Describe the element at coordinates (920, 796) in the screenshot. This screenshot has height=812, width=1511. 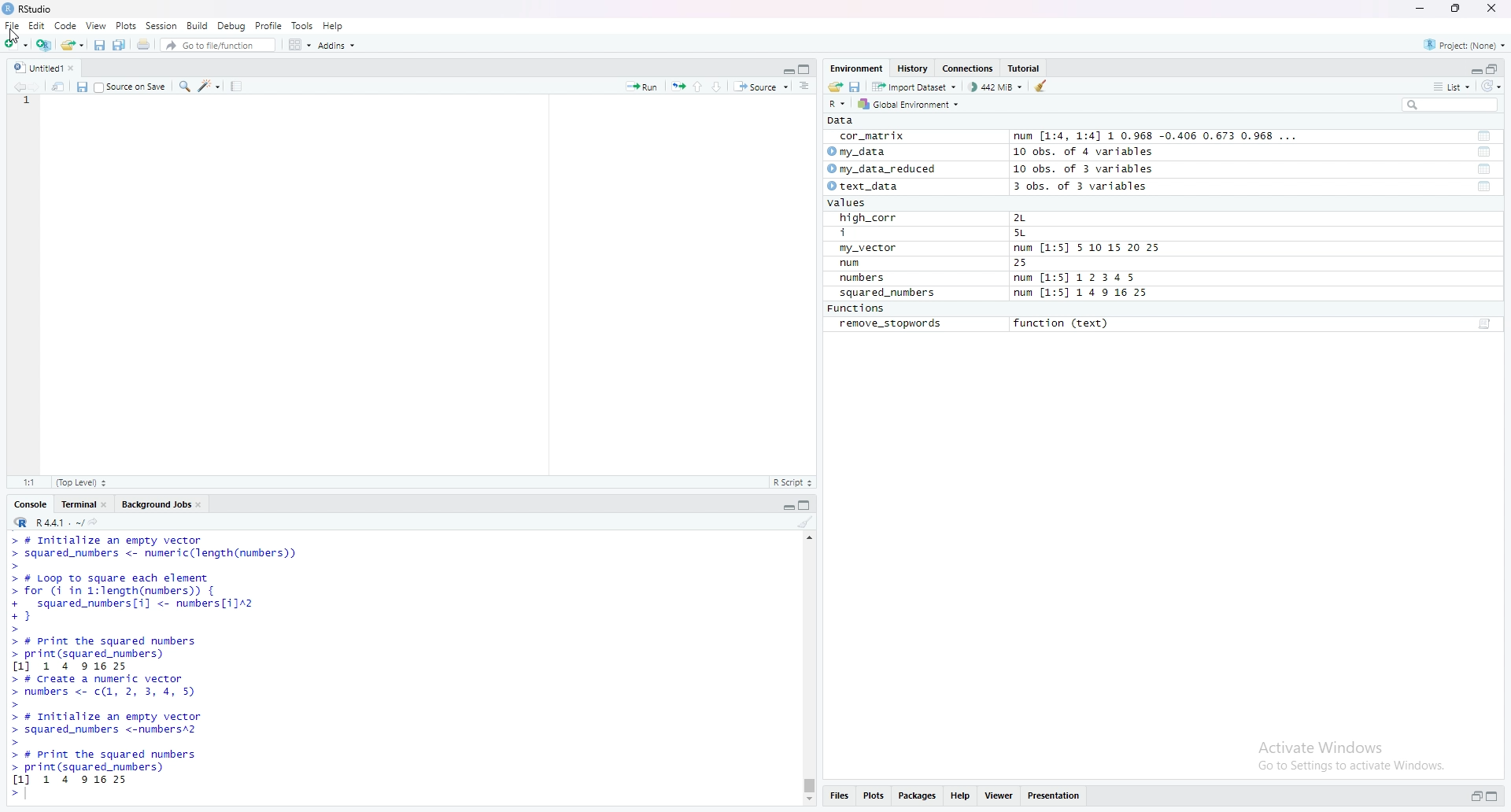
I see `Packages` at that location.